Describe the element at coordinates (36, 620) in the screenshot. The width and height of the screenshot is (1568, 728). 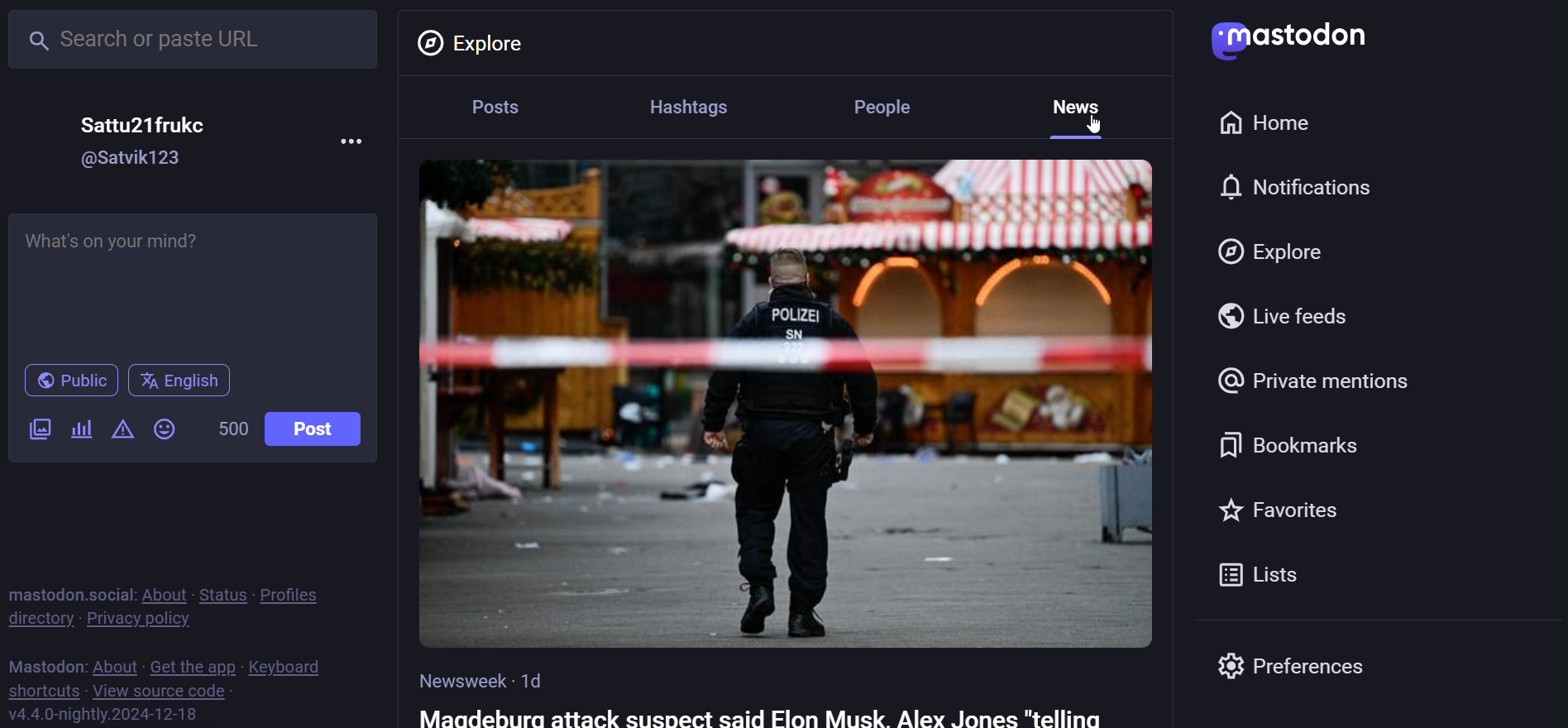
I see `directory` at that location.